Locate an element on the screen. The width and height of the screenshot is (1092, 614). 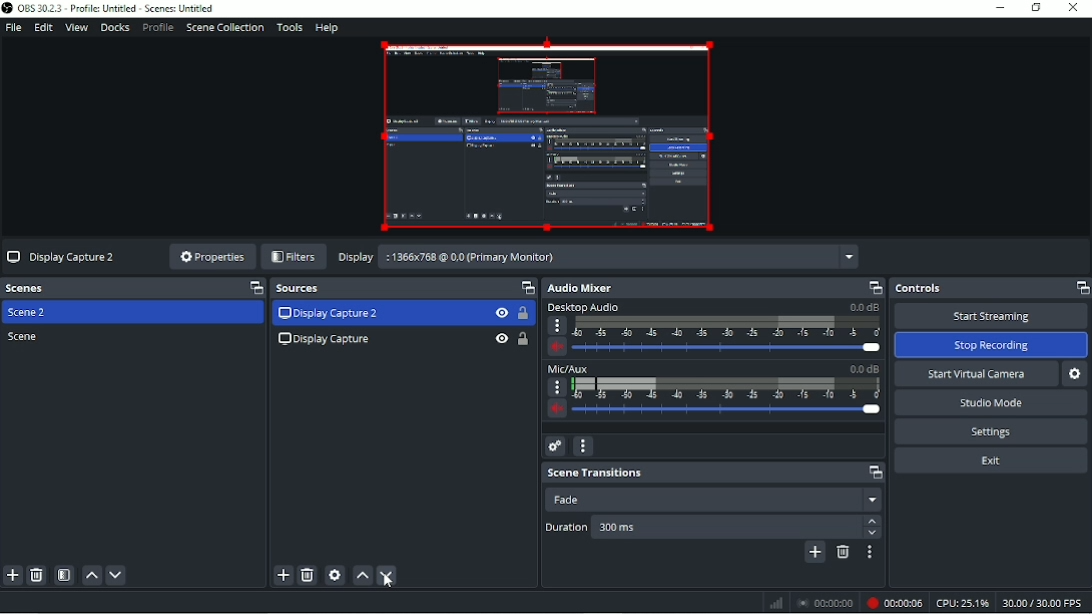
Display is located at coordinates (356, 258).